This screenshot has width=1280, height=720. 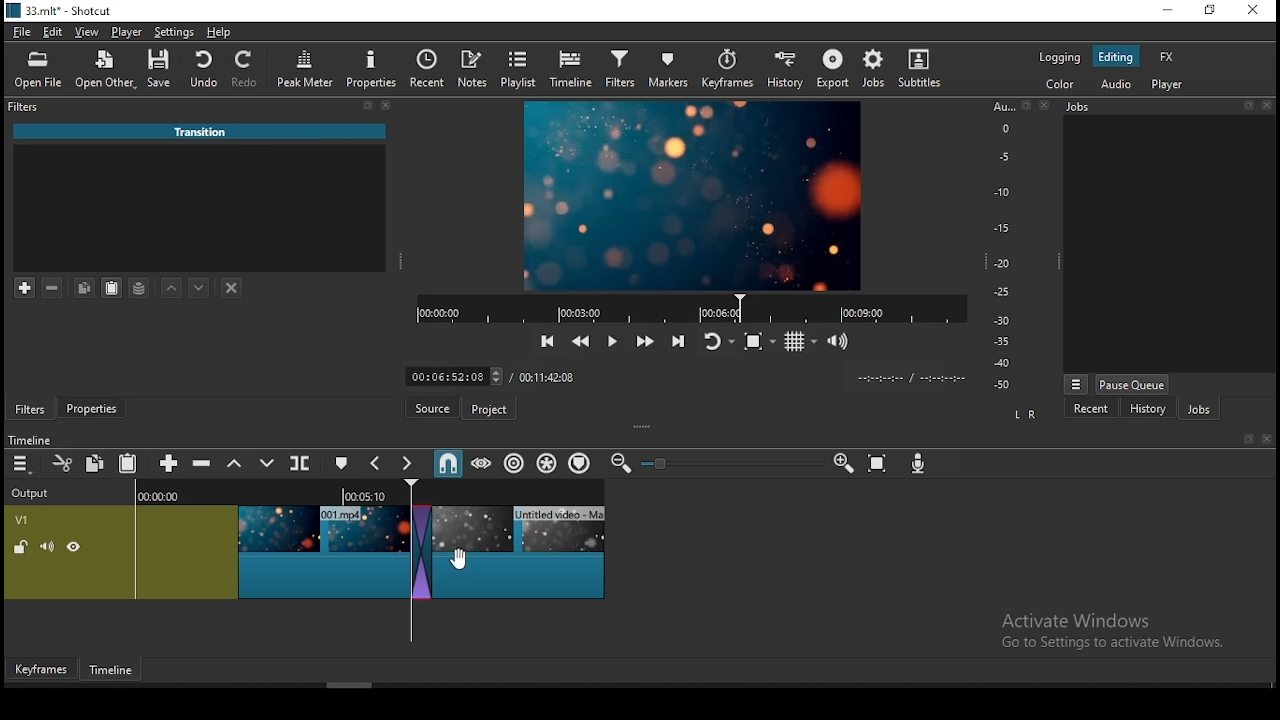 I want to click on remove selected filters, so click(x=58, y=288).